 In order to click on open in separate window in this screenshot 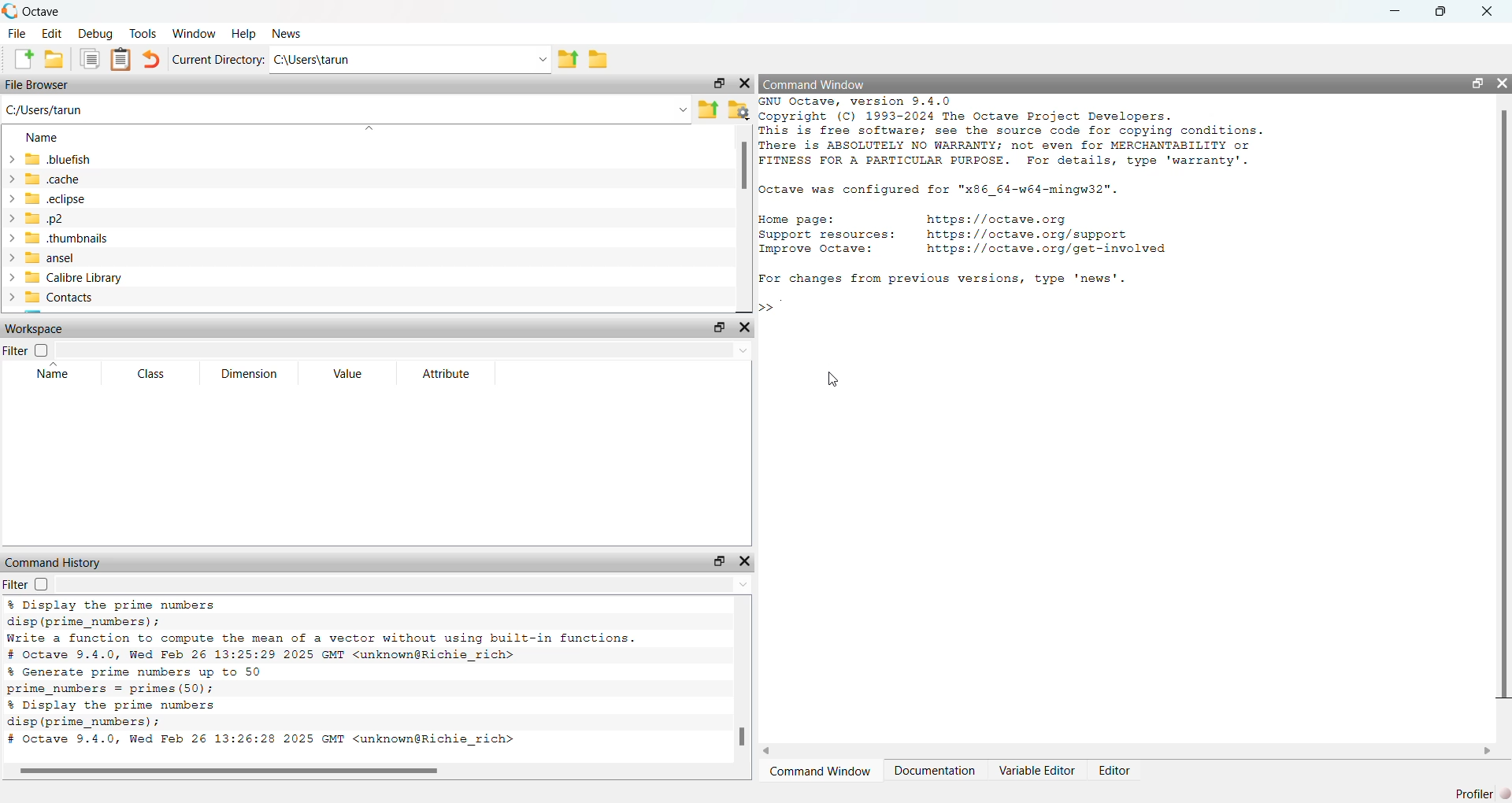, I will do `click(1479, 84)`.